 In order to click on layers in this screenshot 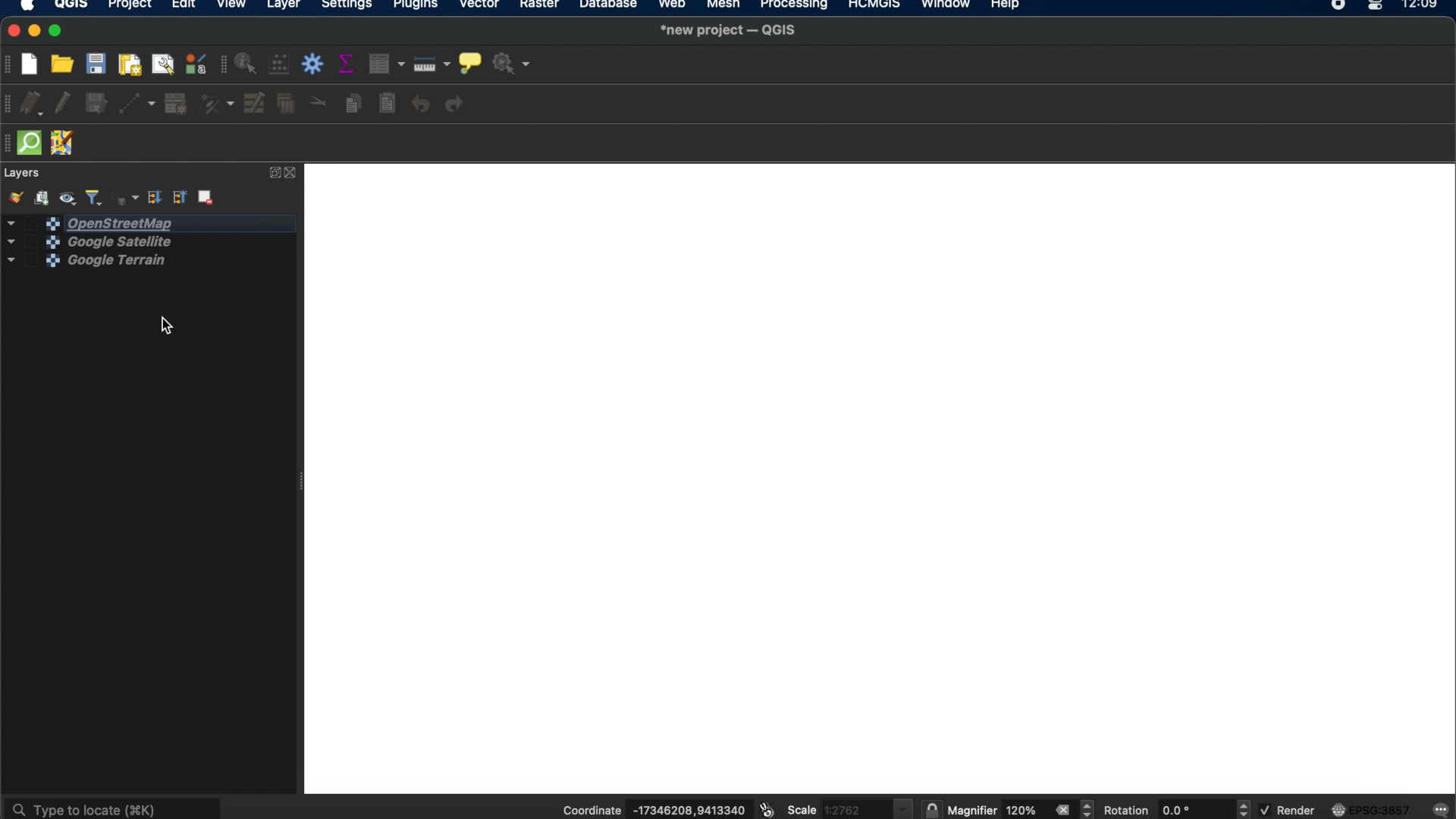, I will do `click(24, 173)`.